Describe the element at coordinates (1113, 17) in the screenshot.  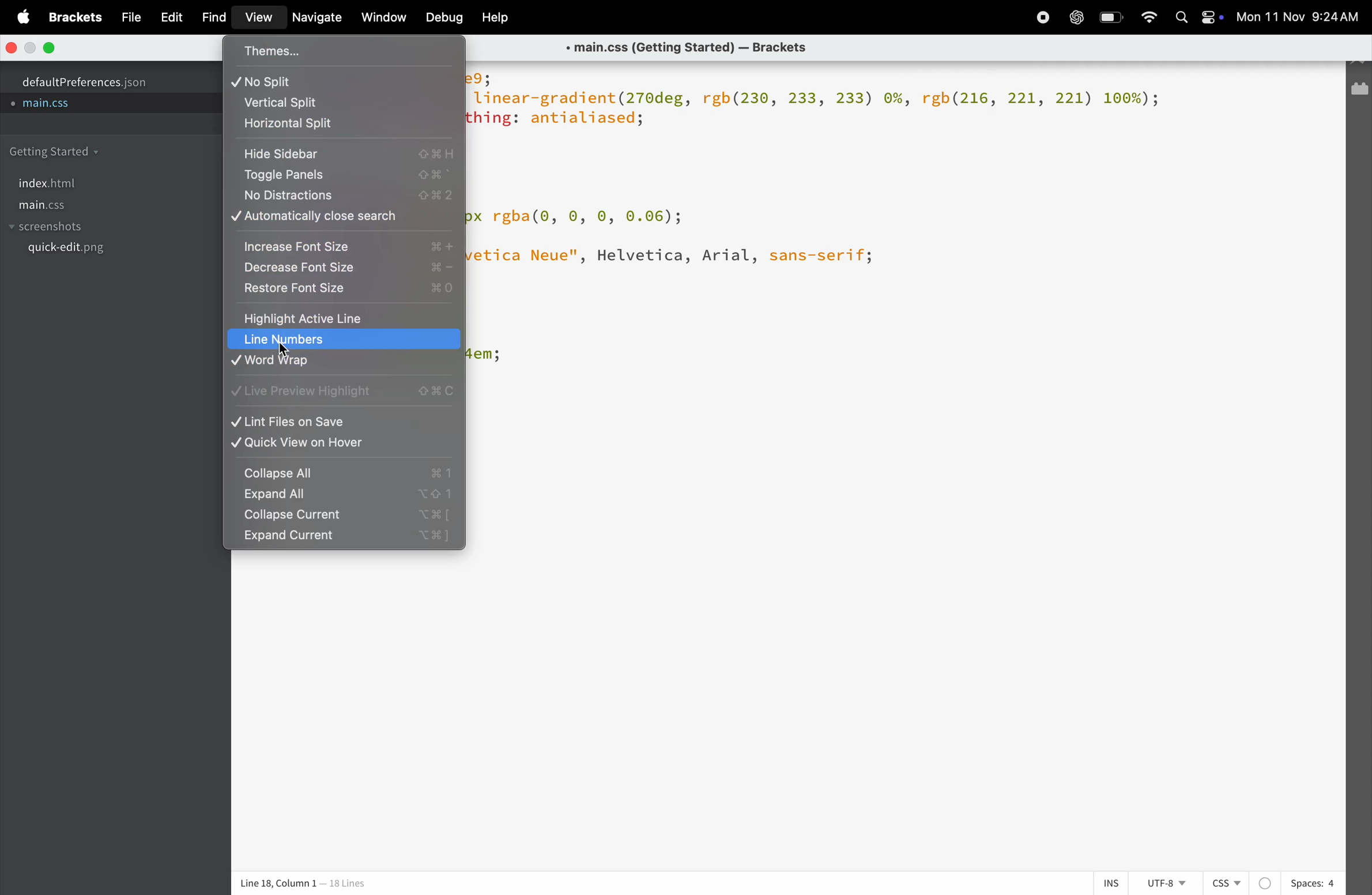
I see `` at that location.